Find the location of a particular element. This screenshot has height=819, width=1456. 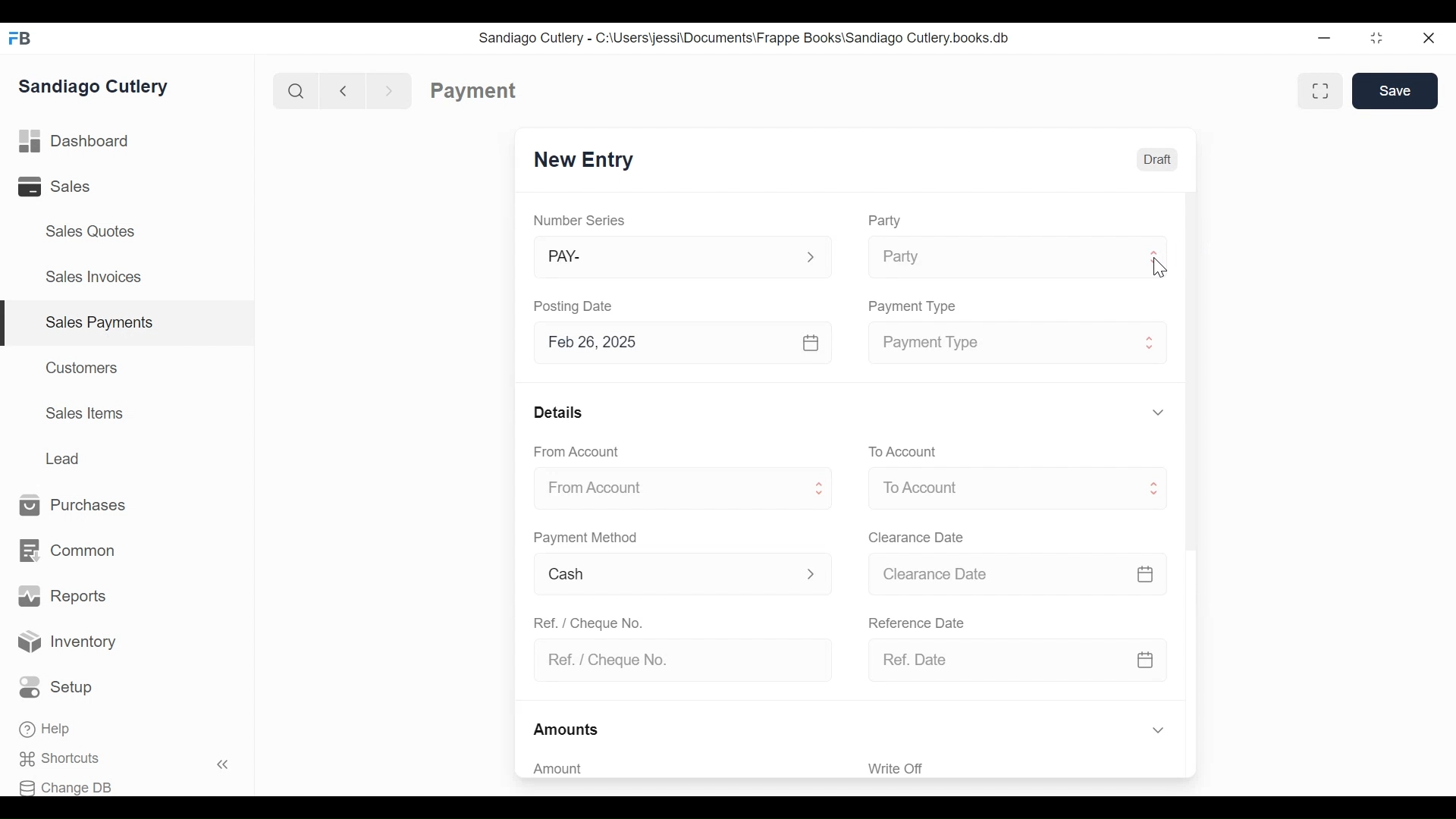

| Sales Payments is located at coordinates (129, 324).